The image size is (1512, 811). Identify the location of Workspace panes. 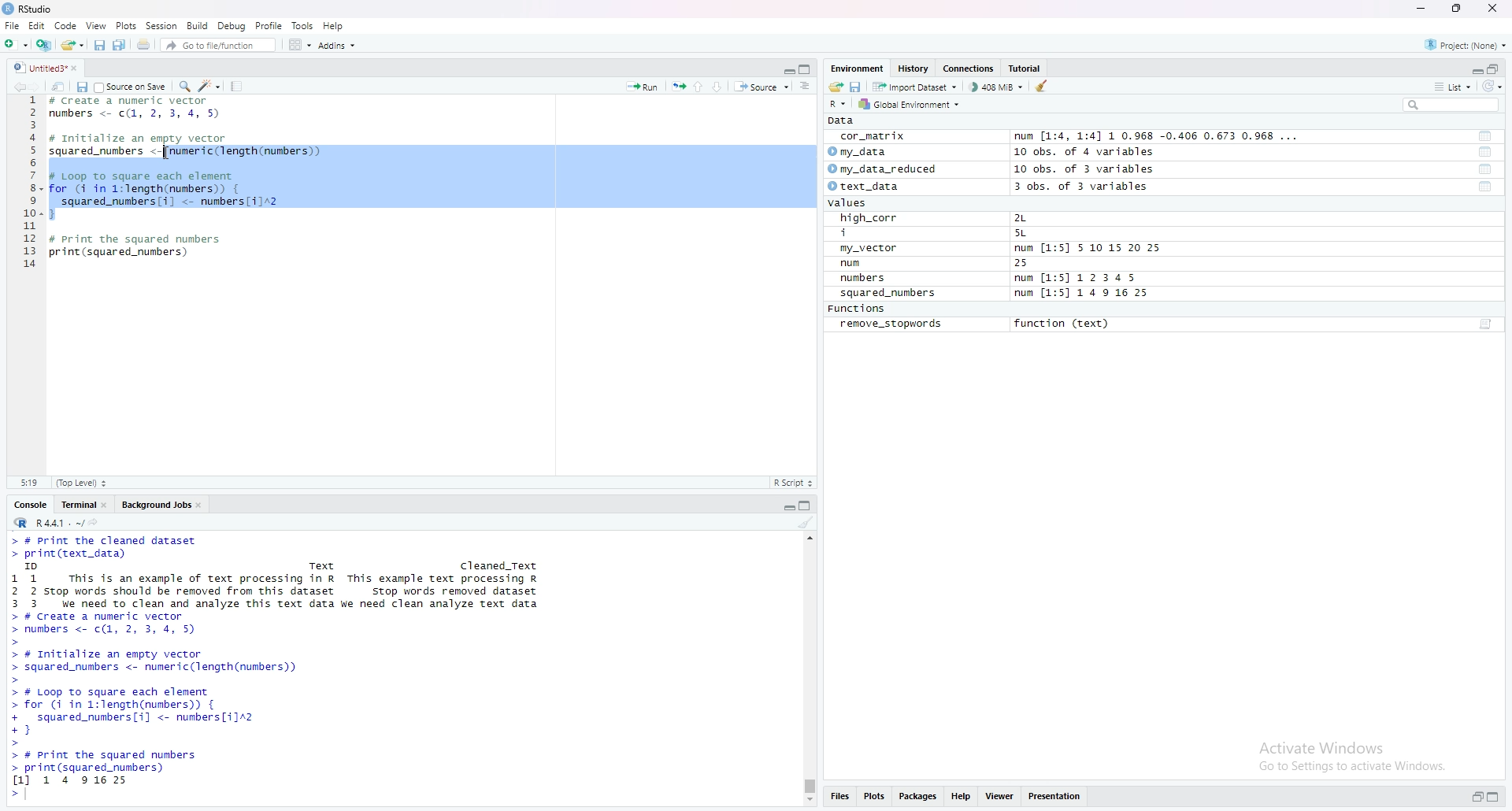
(298, 44).